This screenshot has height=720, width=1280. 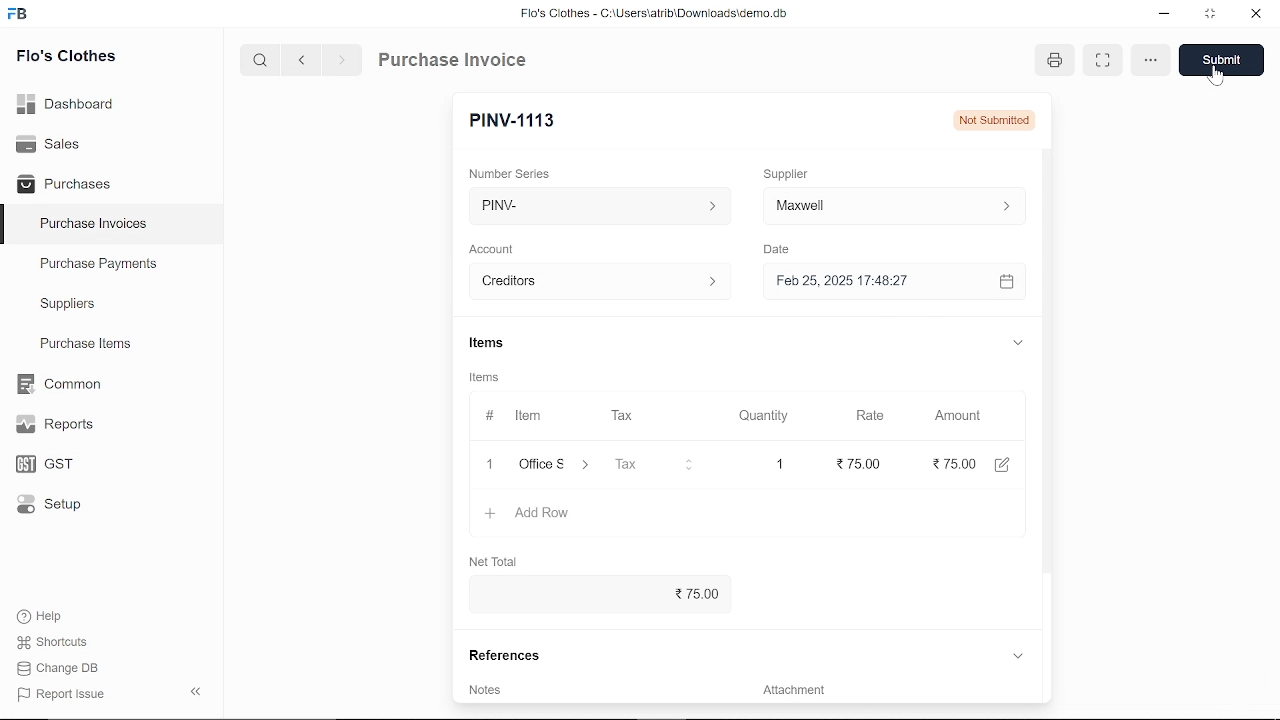 I want to click on New Entry, so click(x=518, y=119).